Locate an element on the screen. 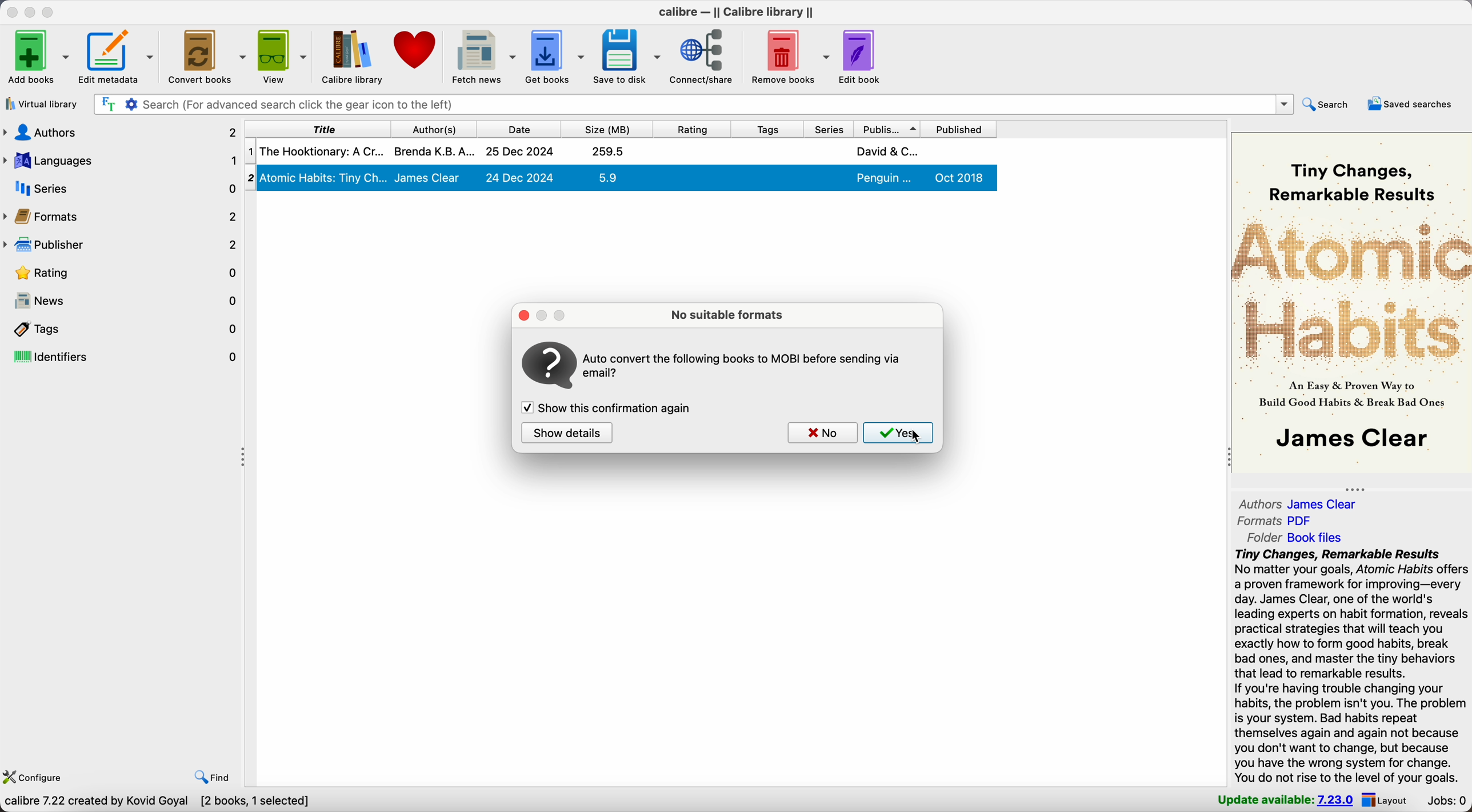 This screenshot has width=1472, height=812. Jobs: 0 is located at coordinates (1445, 801).